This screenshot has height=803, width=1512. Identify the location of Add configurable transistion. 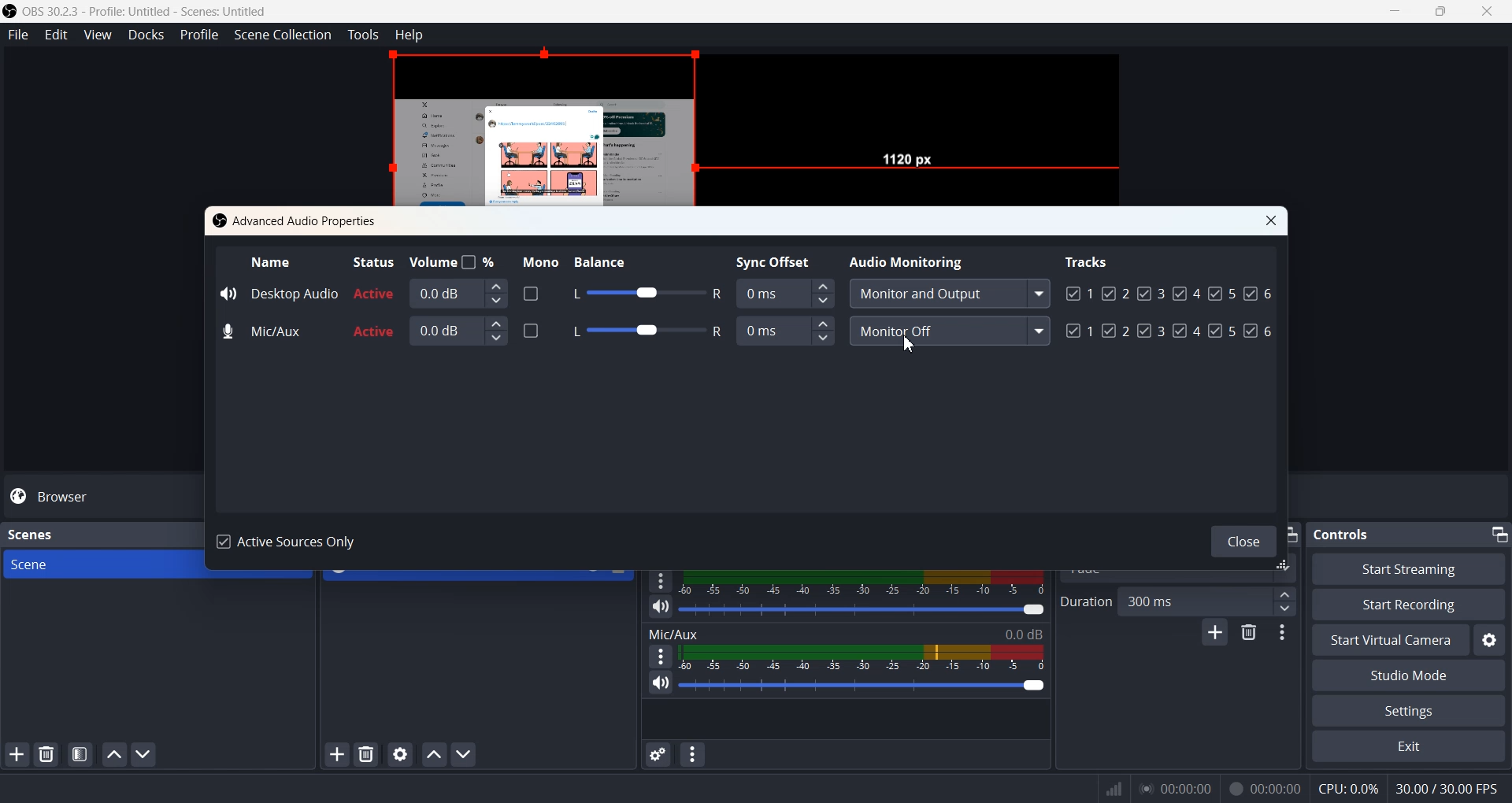
(1214, 635).